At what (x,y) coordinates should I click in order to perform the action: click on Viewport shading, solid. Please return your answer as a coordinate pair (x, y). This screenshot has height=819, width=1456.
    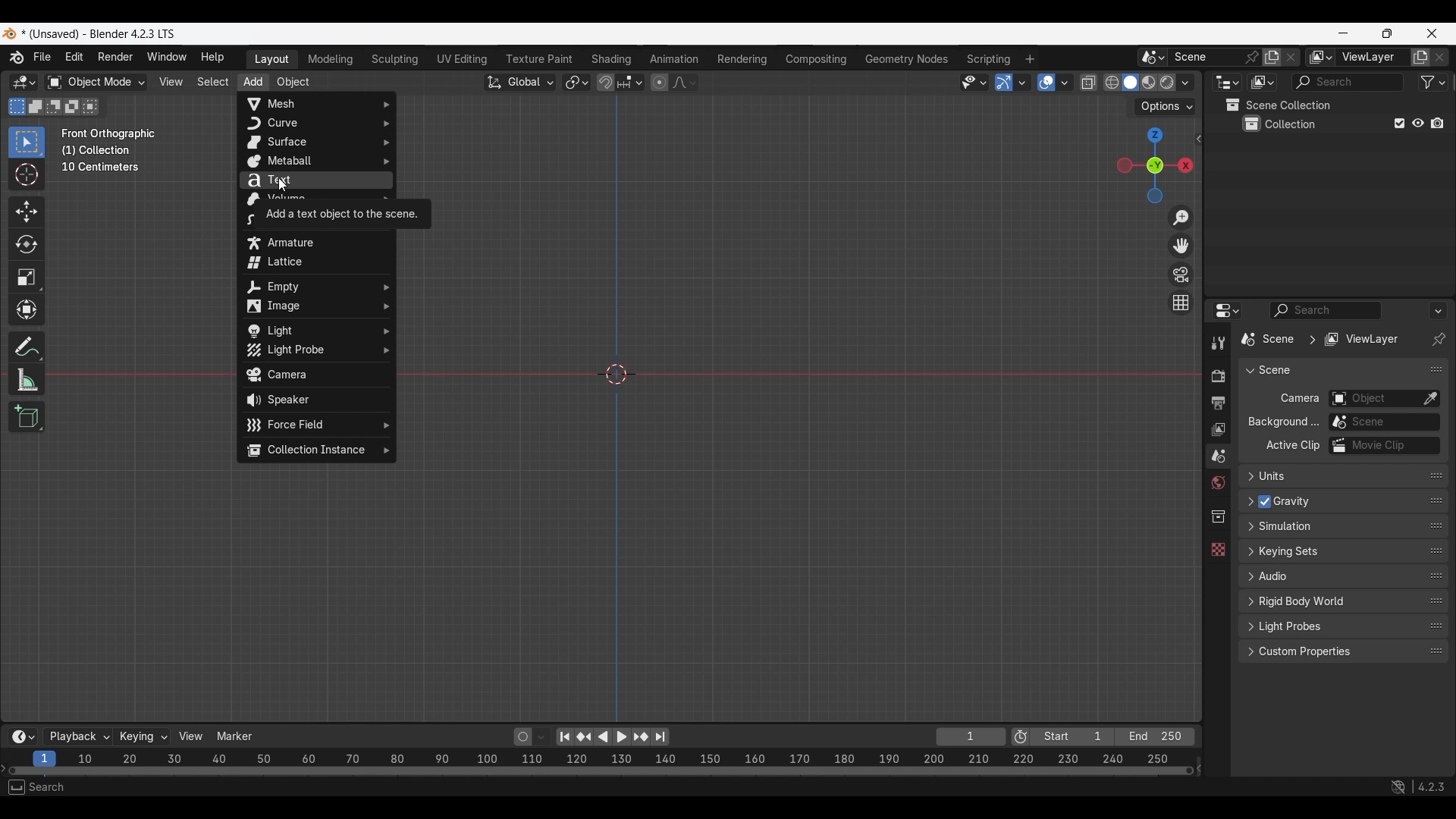
    Looking at the image, I should click on (1130, 83).